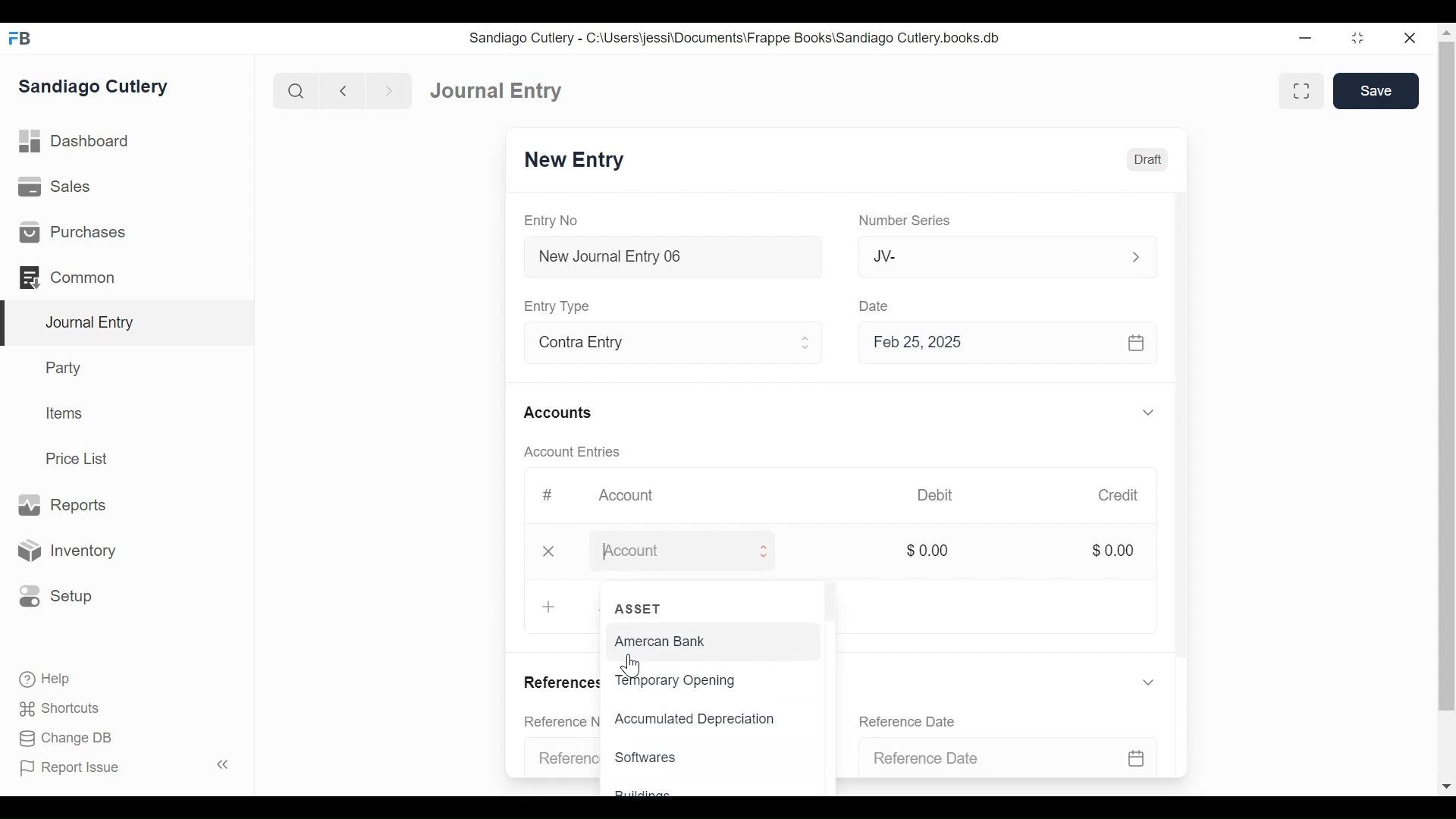 This screenshot has width=1456, height=819. What do you see at coordinates (906, 719) in the screenshot?
I see `Reference Date` at bounding box center [906, 719].